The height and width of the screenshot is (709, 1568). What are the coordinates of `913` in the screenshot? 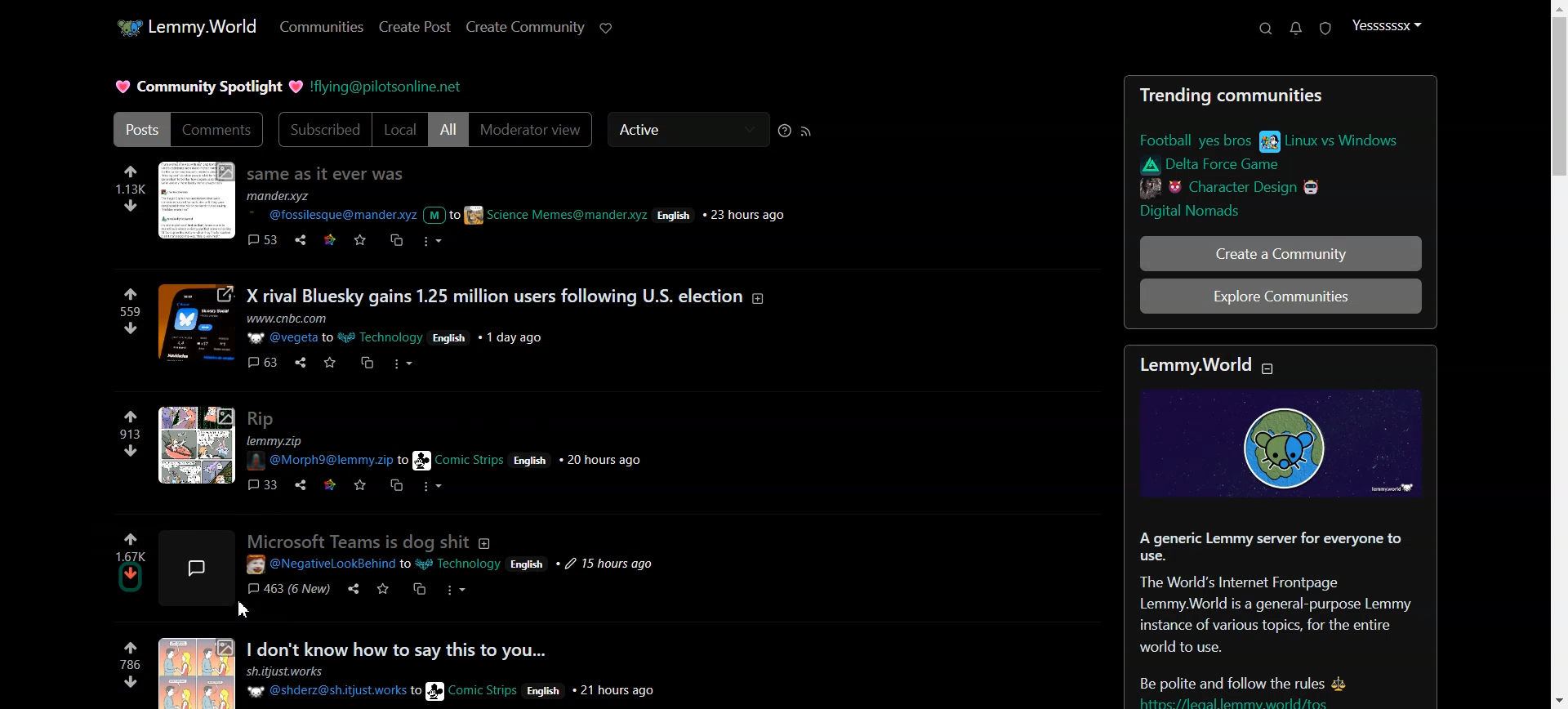 It's located at (129, 435).